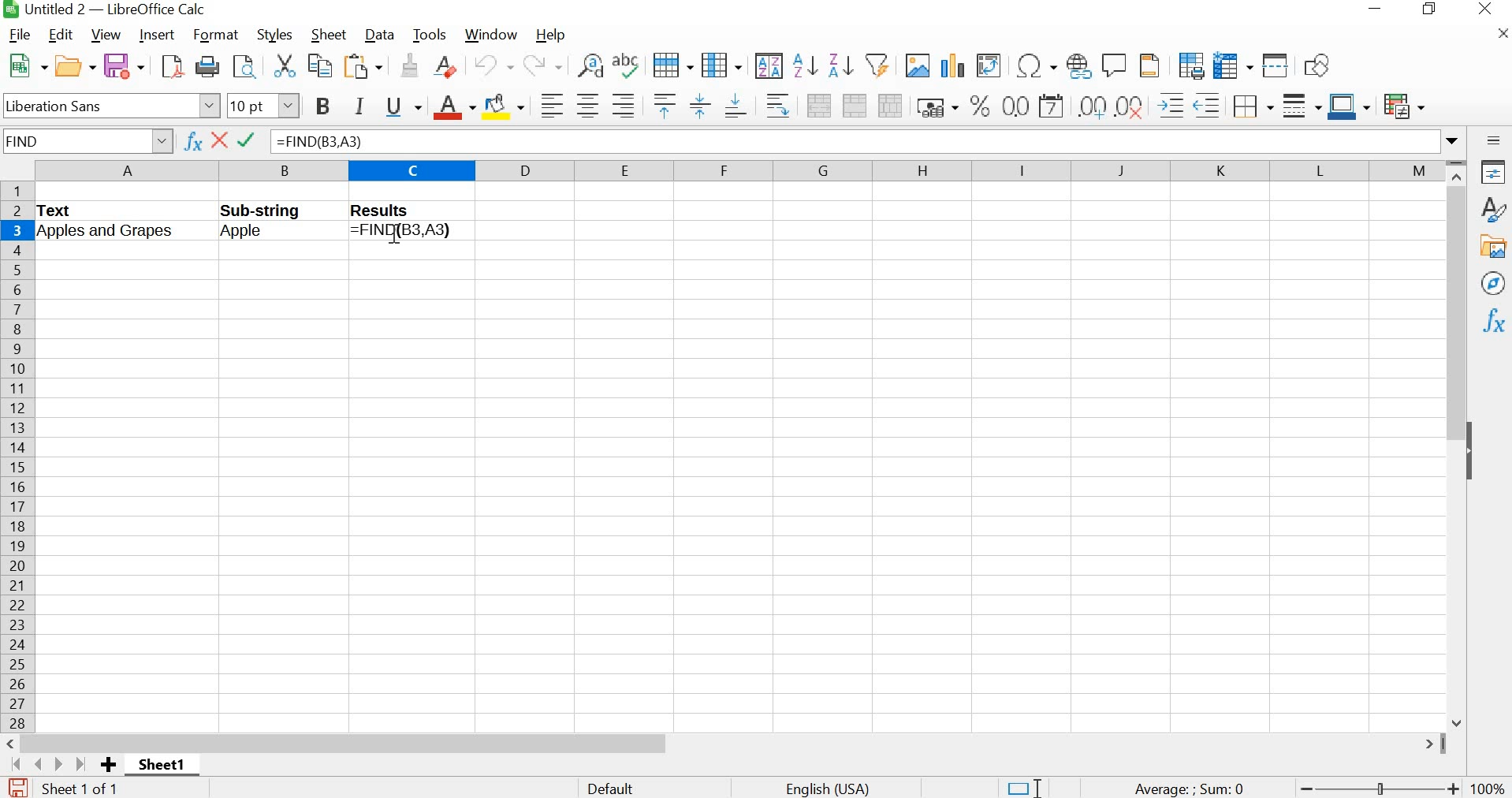 The height and width of the screenshot is (798, 1512). Describe the element at coordinates (158, 35) in the screenshot. I see `insert` at that location.